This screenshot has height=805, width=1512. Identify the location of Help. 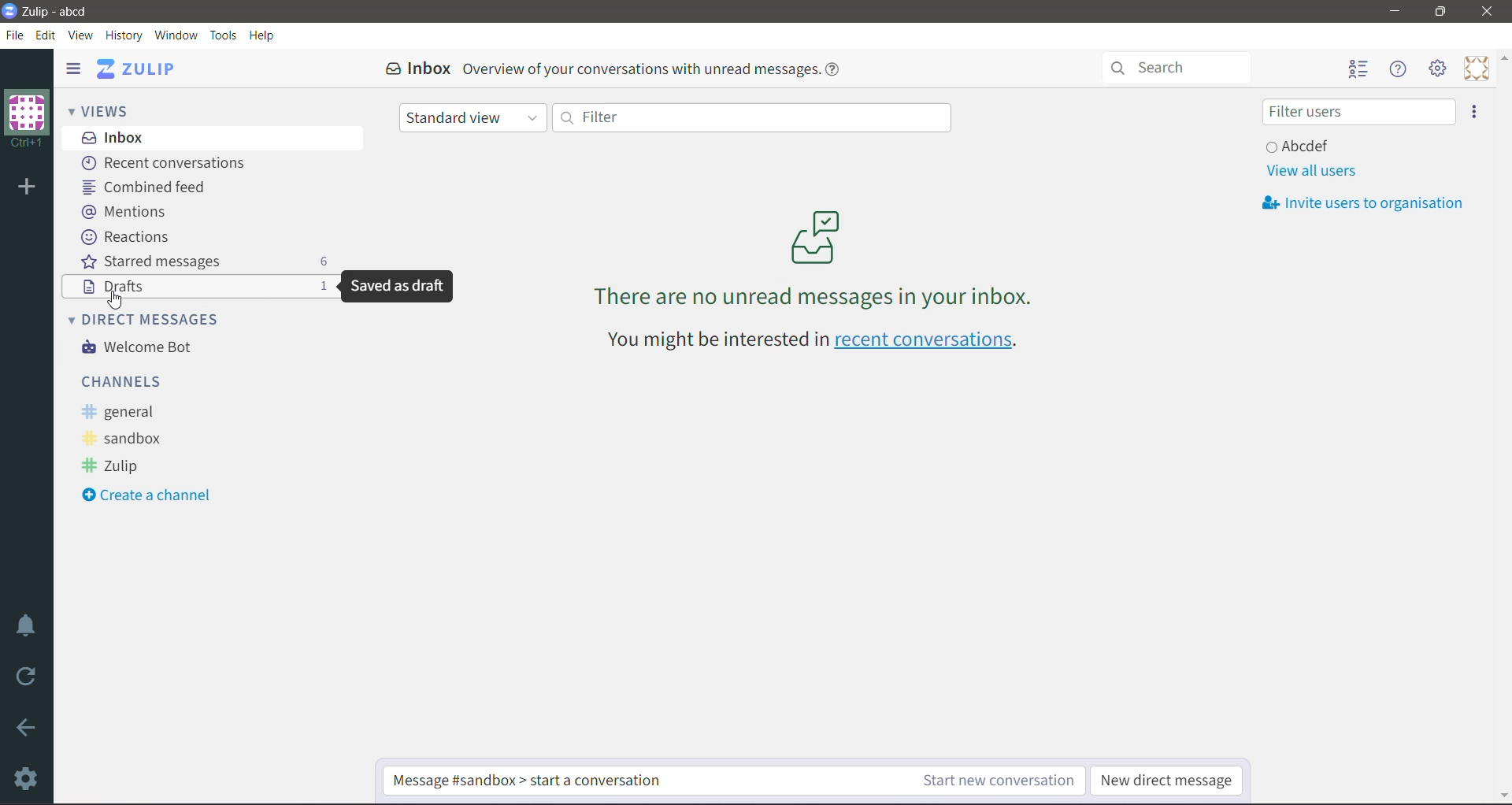
(262, 35).